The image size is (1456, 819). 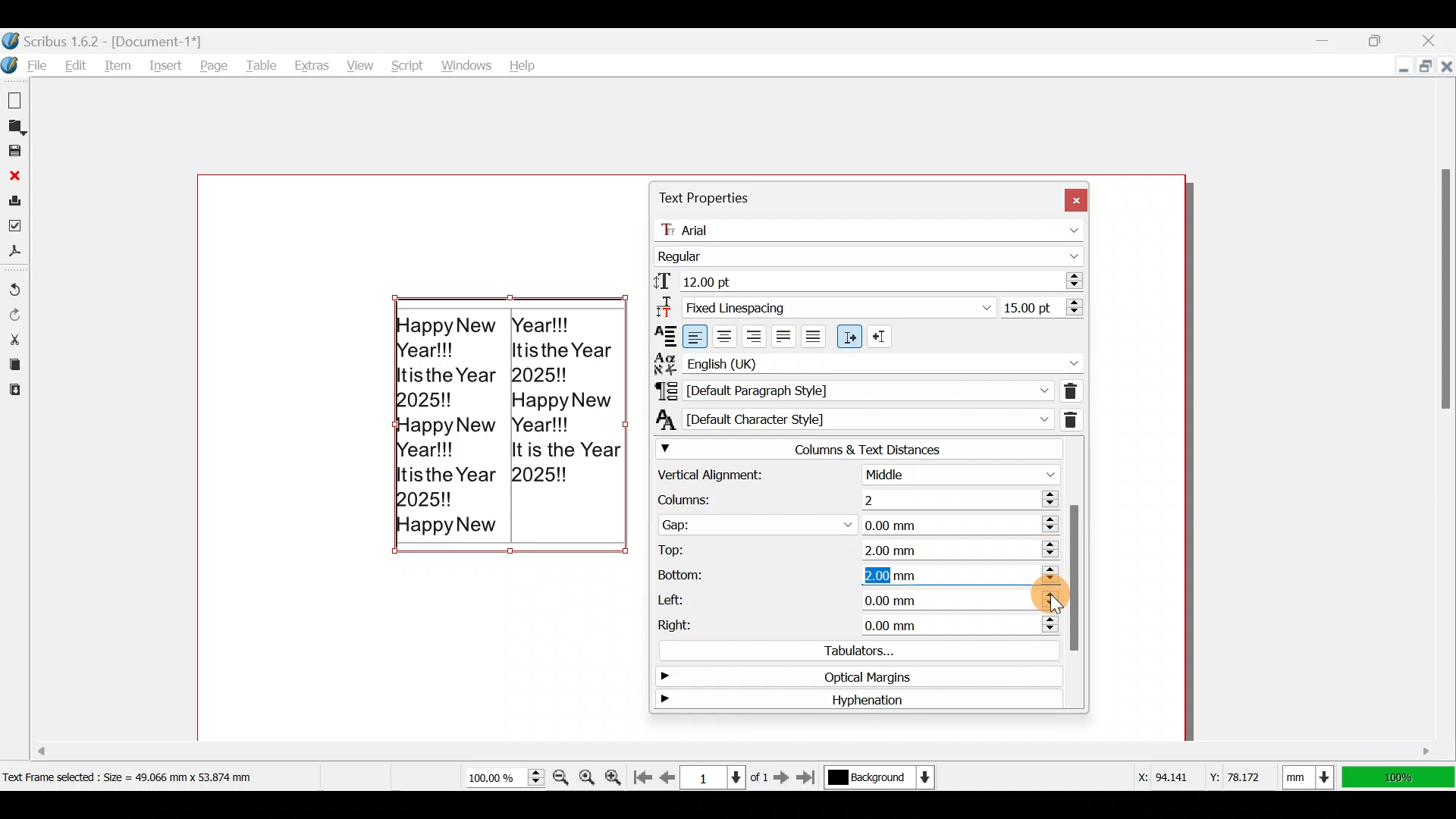 What do you see at coordinates (1437, 37) in the screenshot?
I see `Close` at bounding box center [1437, 37].